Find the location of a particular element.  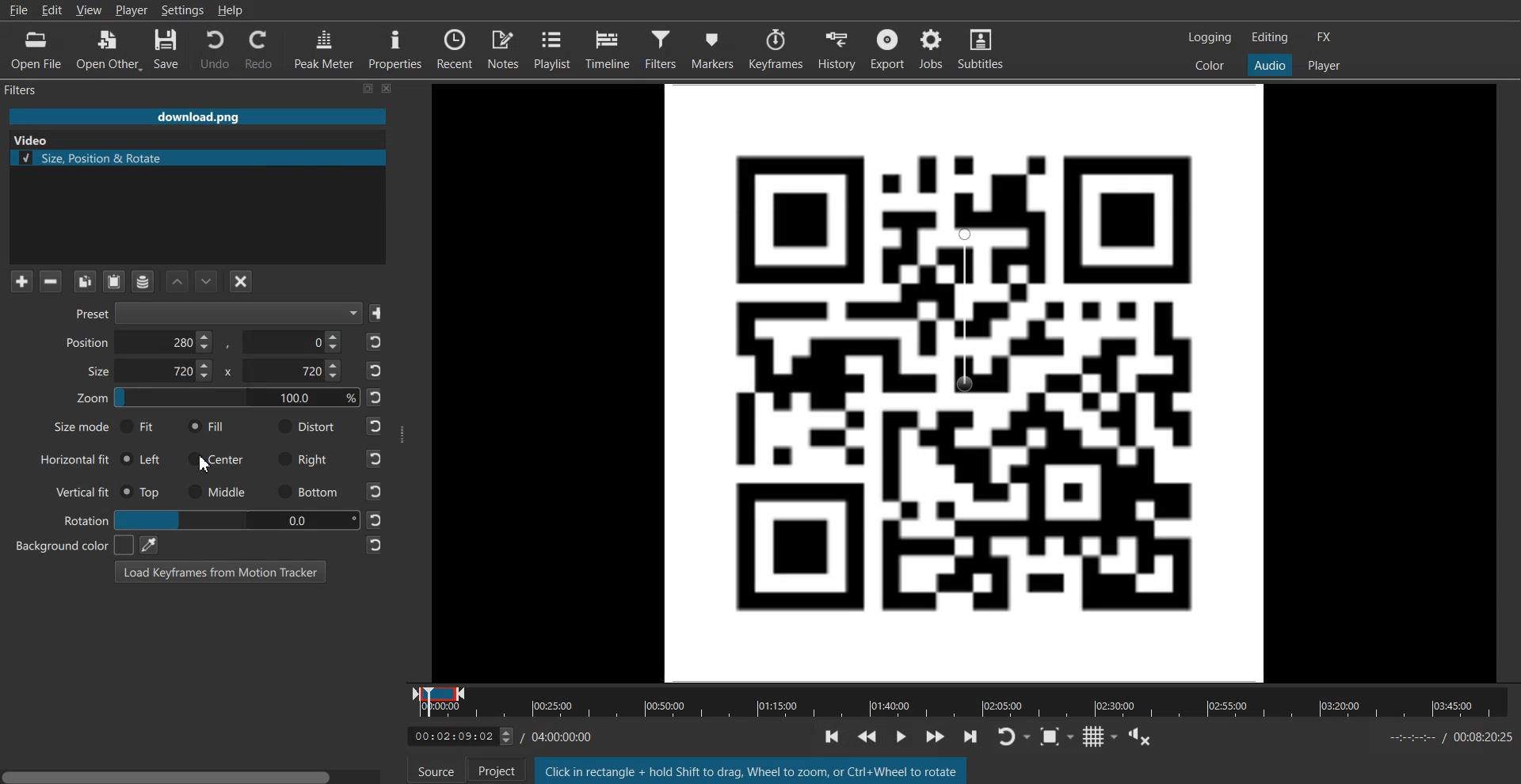

Text 2 is located at coordinates (750, 770).